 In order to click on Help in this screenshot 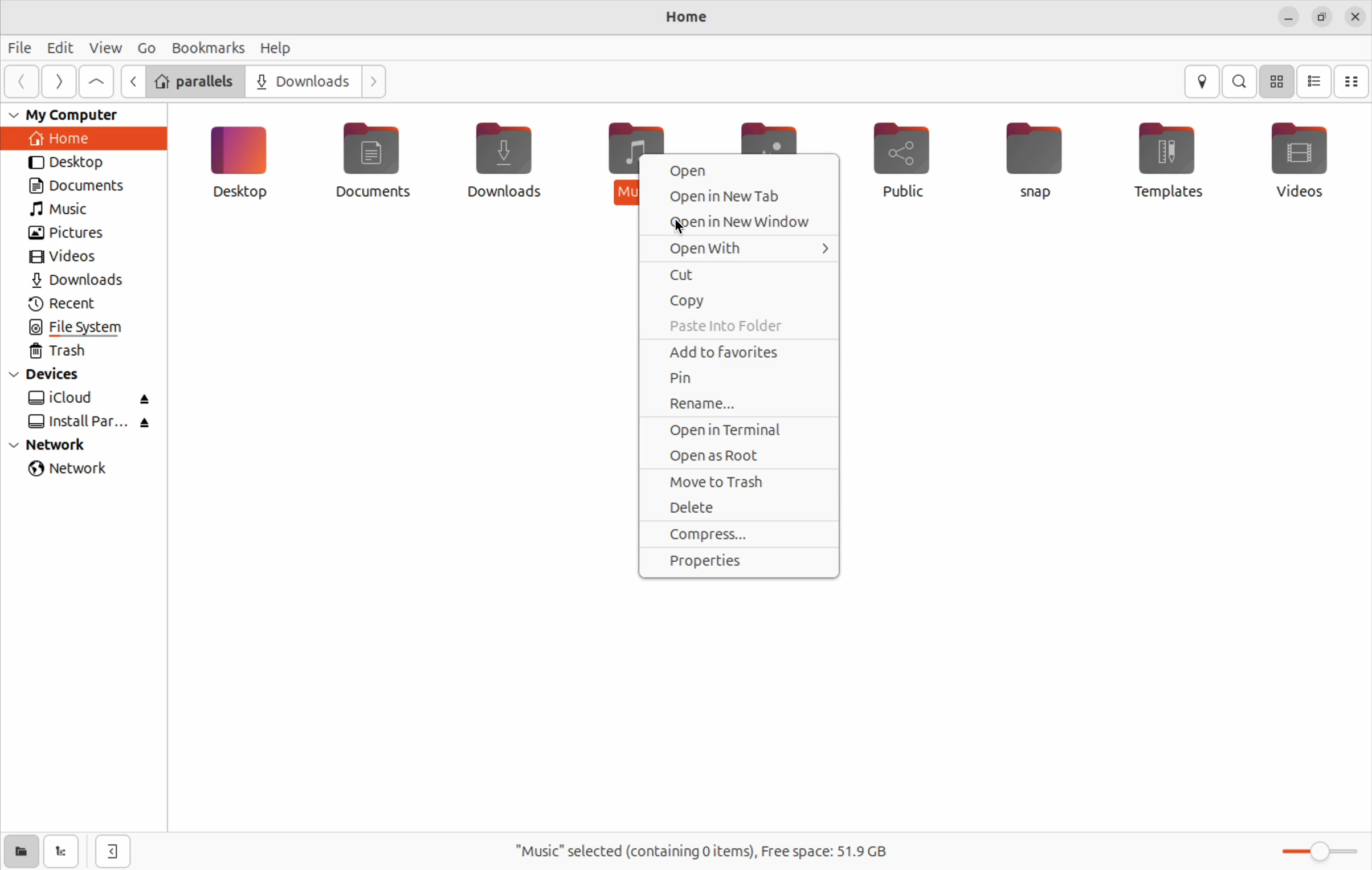, I will do `click(277, 48)`.